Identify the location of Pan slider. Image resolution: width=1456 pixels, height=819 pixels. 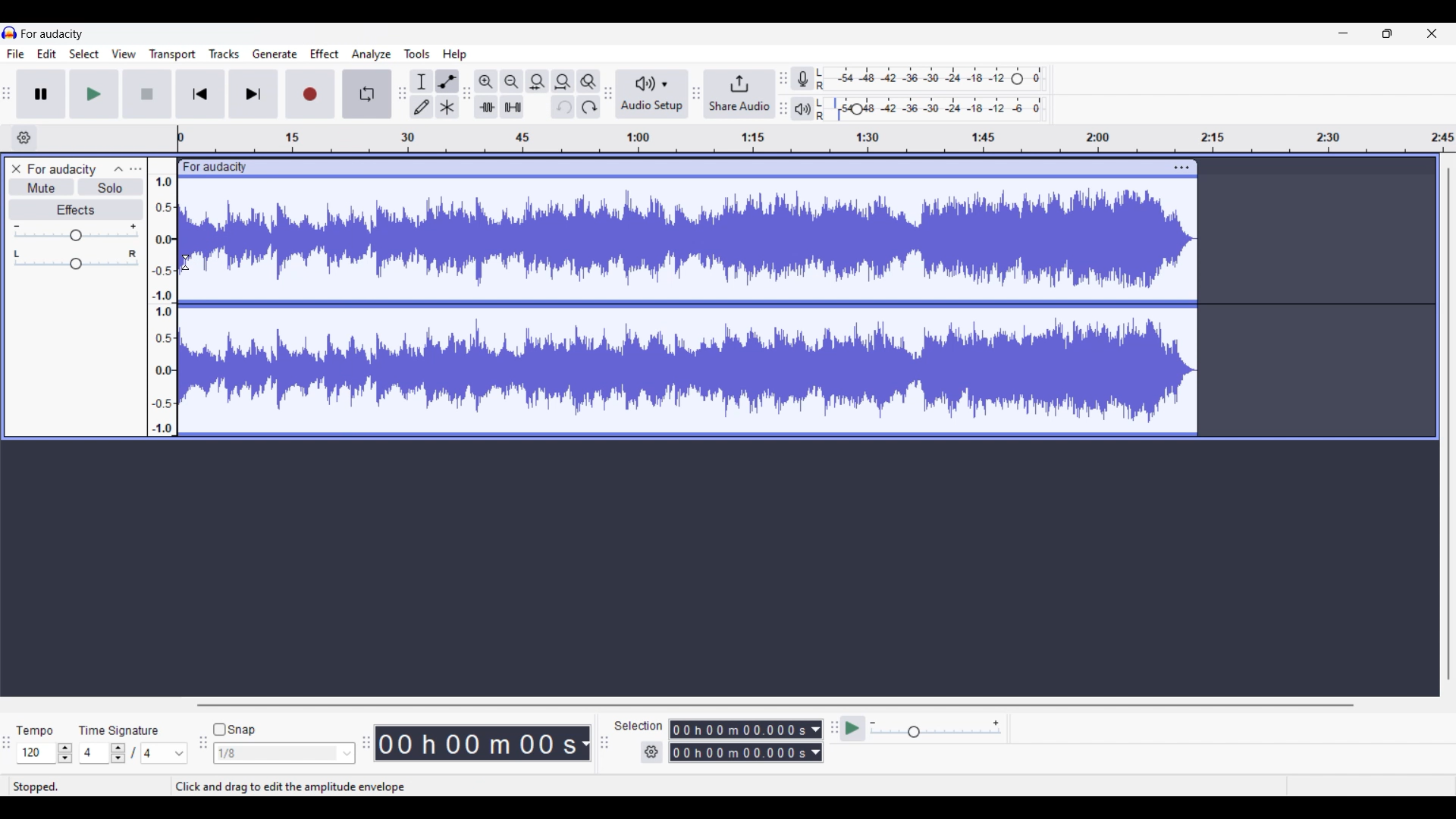
(75, 260).